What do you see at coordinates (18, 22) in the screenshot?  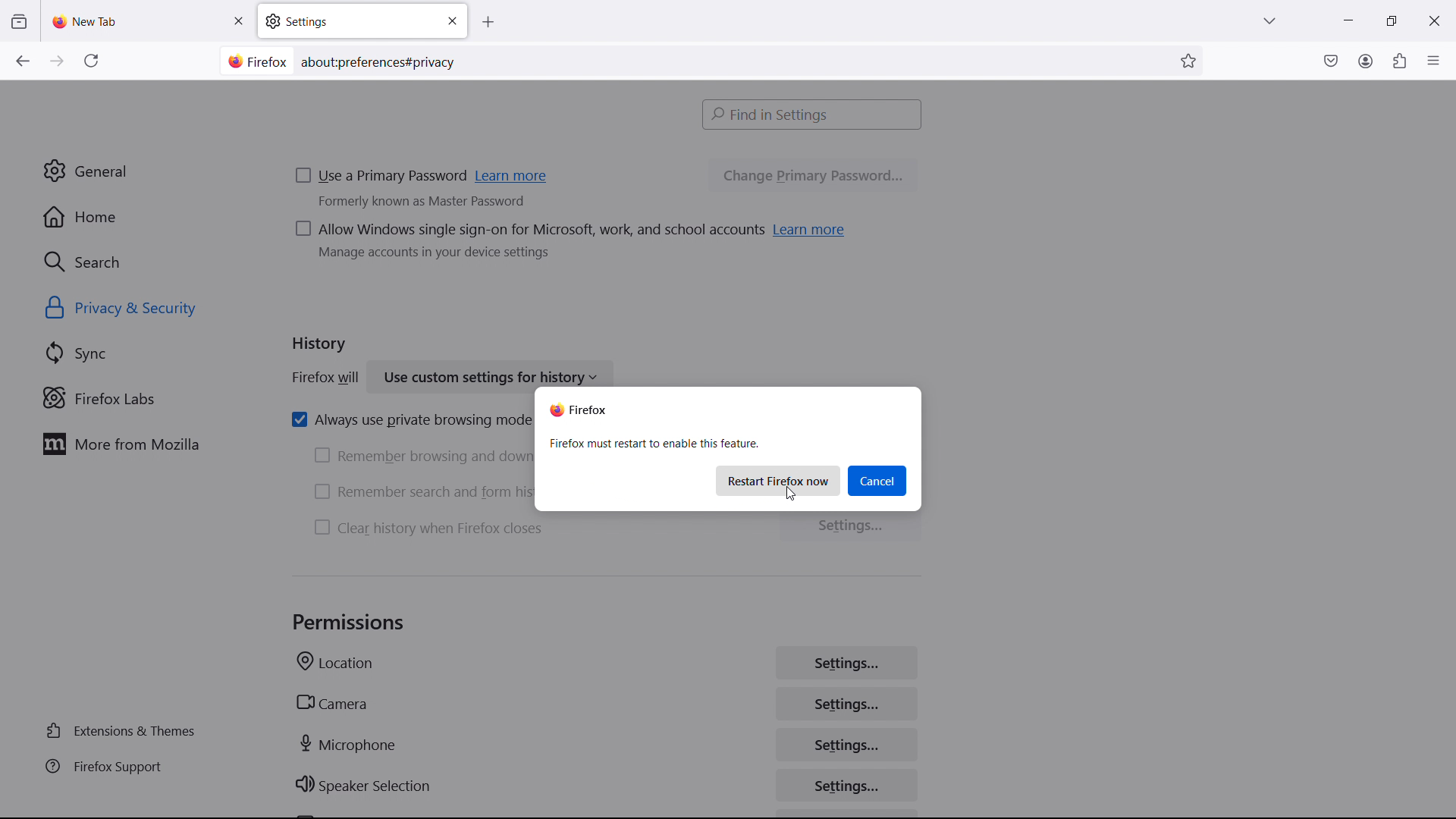 I see `view recent browsing across windows and devices` at bounding box center [18, 22].